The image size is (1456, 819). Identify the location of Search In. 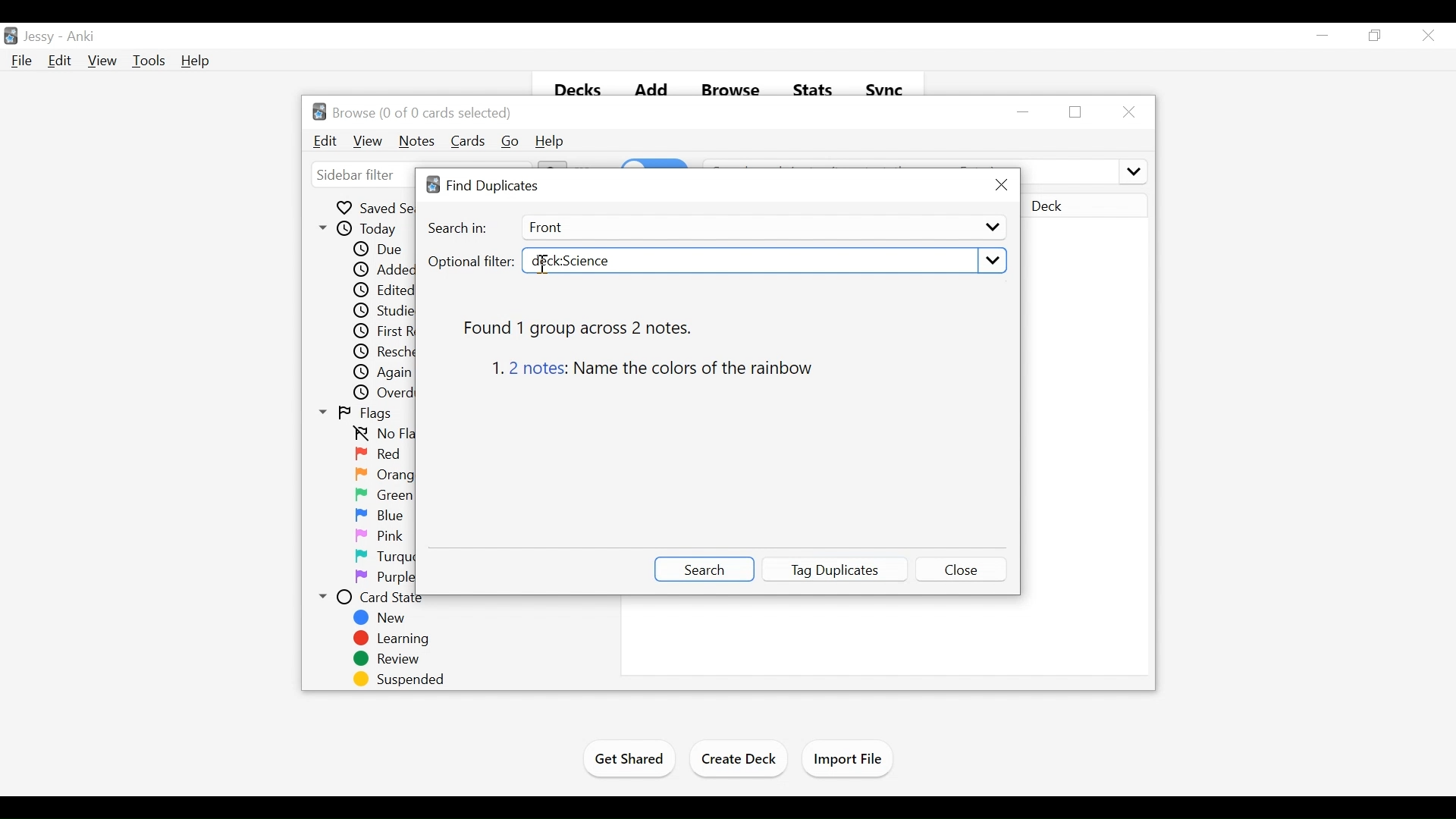
(459, 229).